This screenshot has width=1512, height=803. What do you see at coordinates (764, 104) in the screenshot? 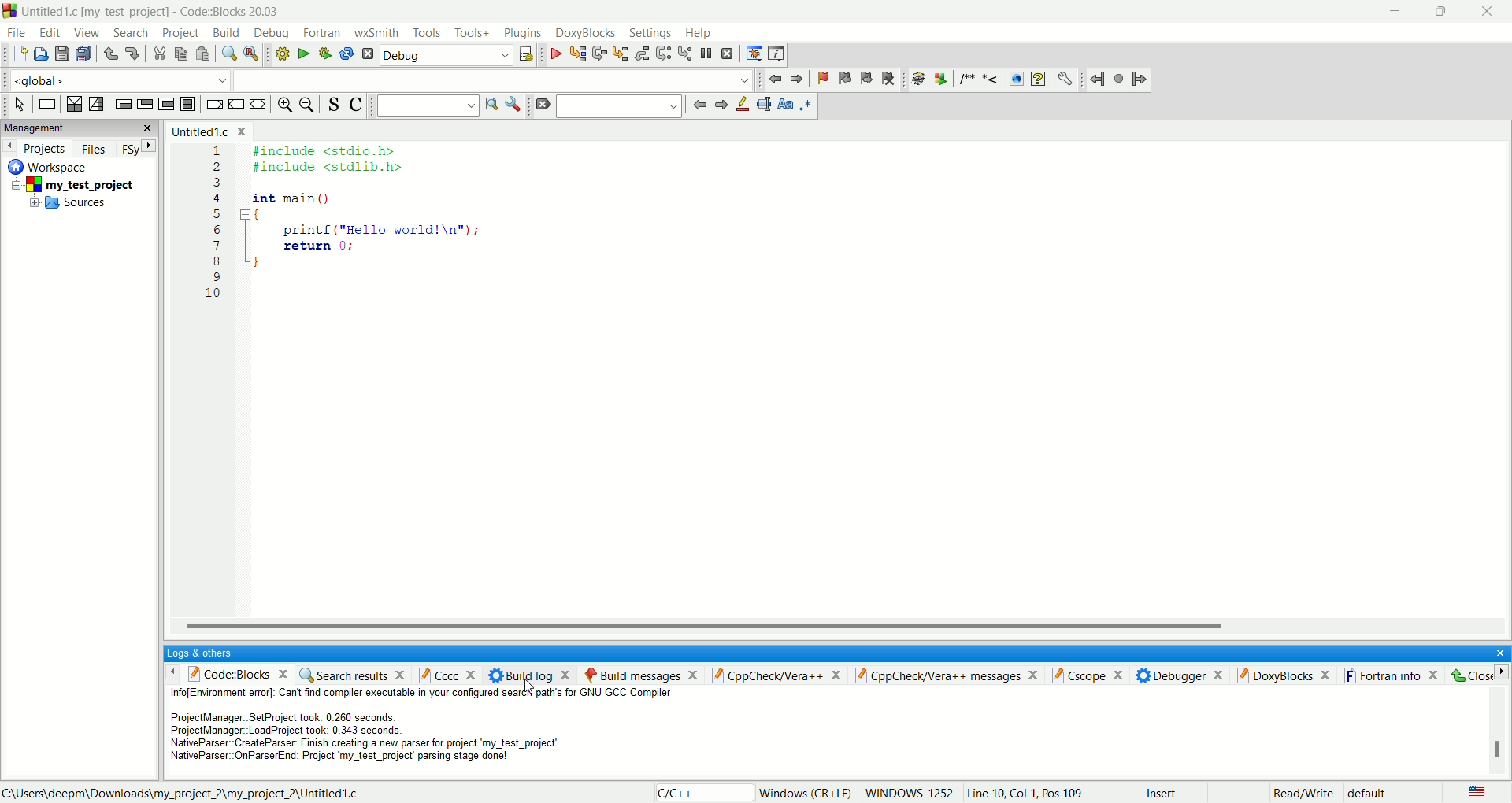
I see `selected text` at bounding box center [764, 104].